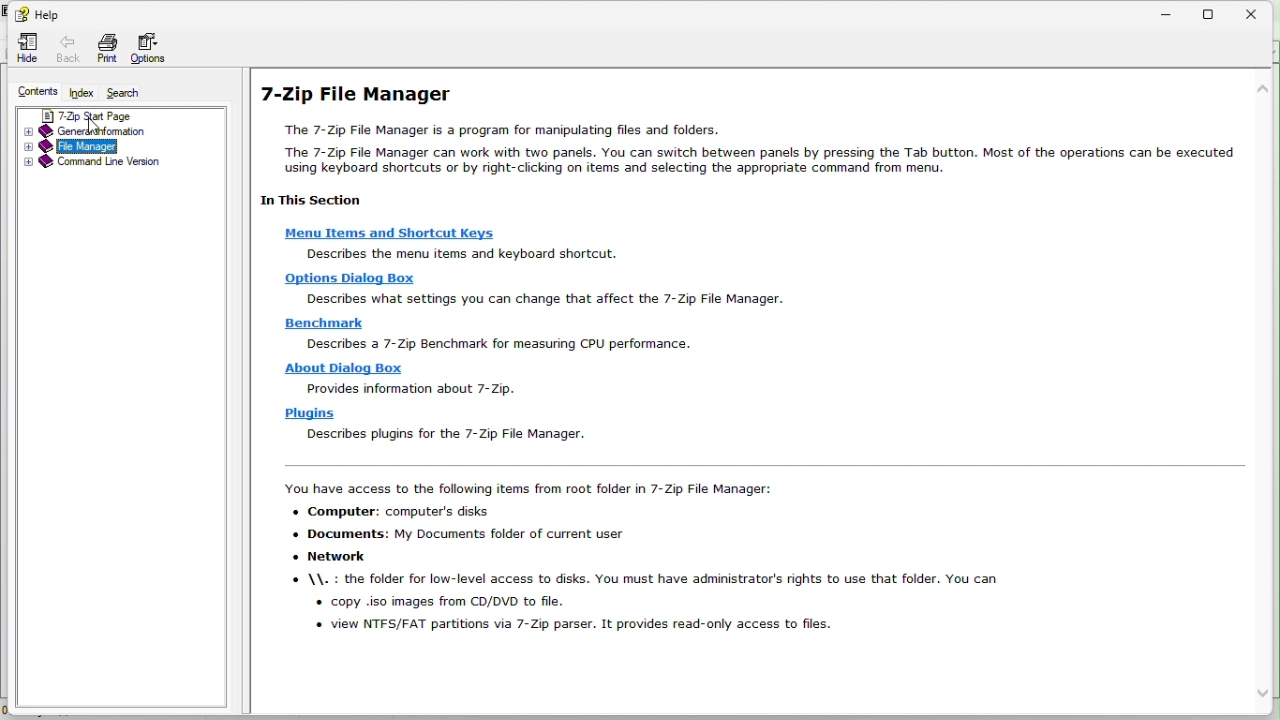  What do you see at coordinates (1211, 13) in the screenshot?
I see `restore` at bounding box center [1211, 13].